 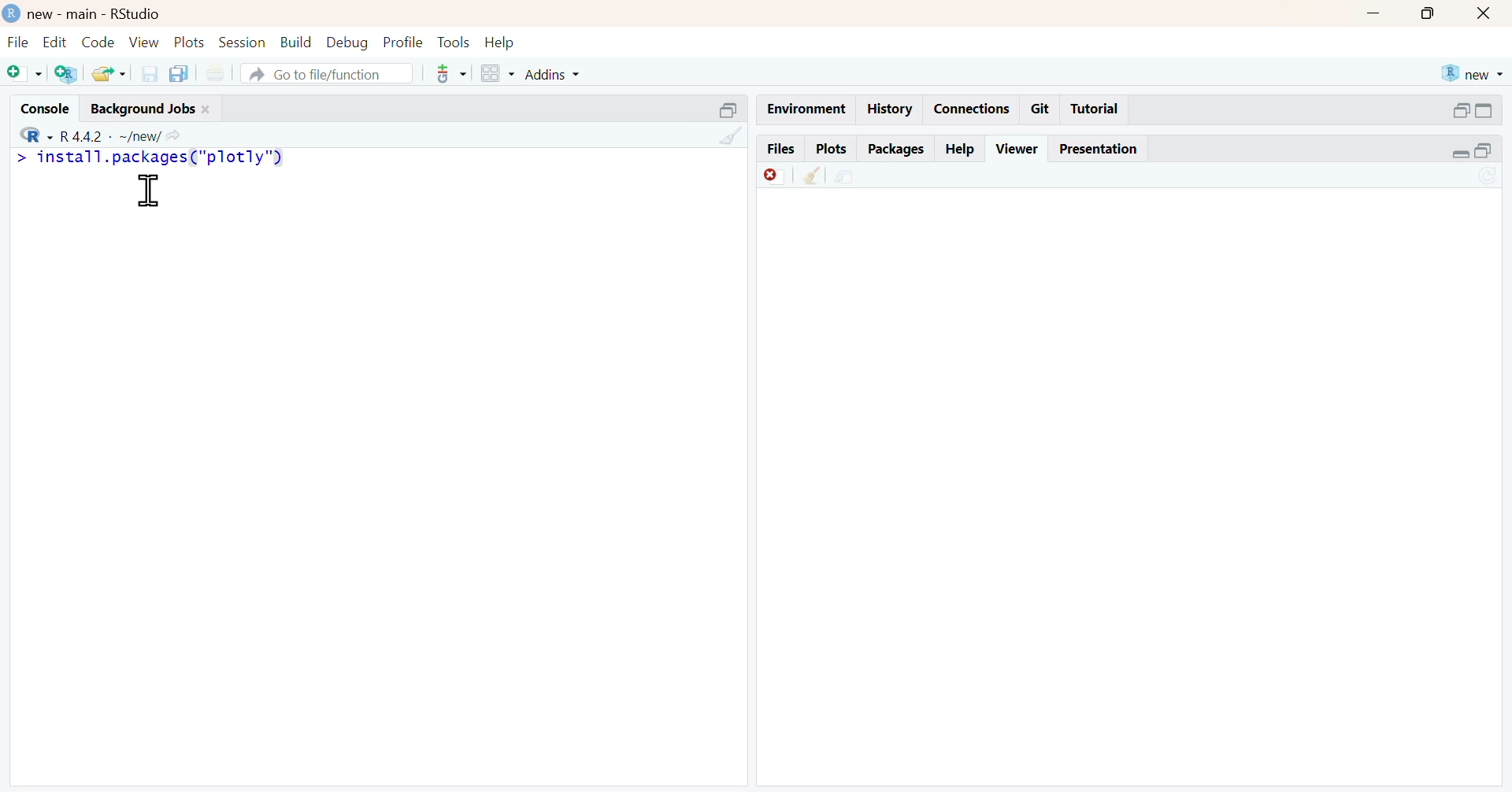 I want to click on cursor, so click(x=149, y=191).